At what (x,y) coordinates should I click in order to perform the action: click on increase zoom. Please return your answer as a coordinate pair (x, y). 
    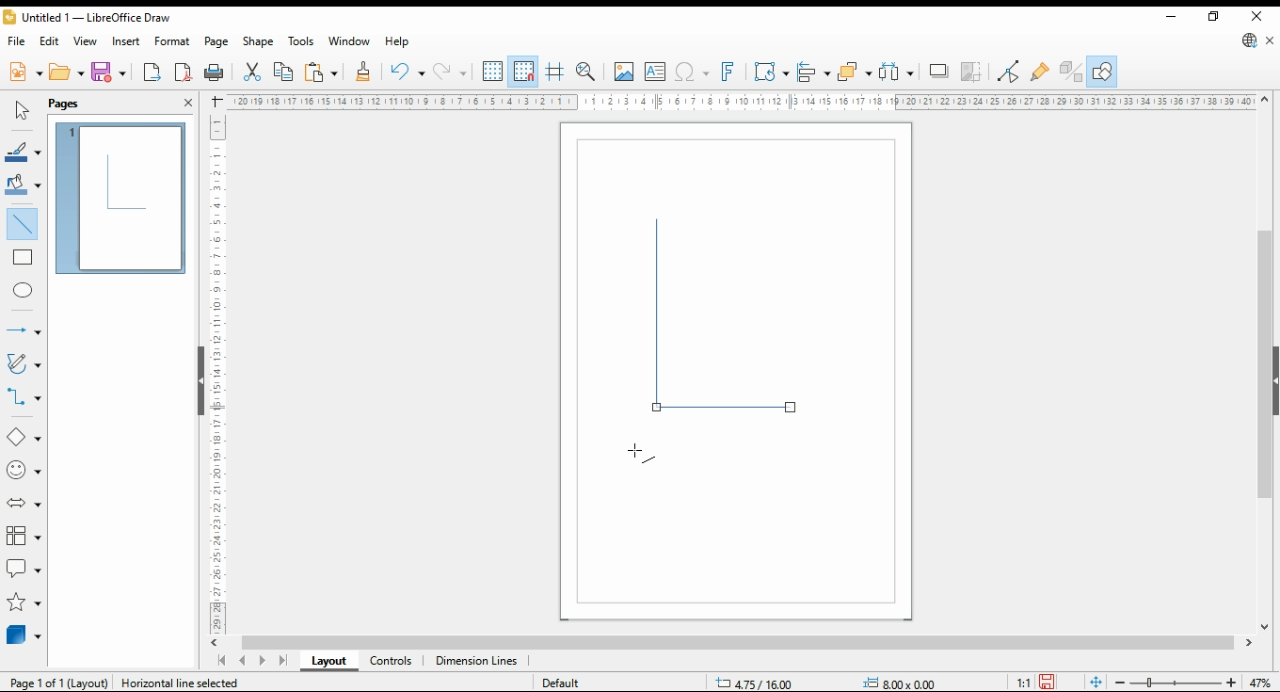
    Looking at the image, I should click on (1235, 683).